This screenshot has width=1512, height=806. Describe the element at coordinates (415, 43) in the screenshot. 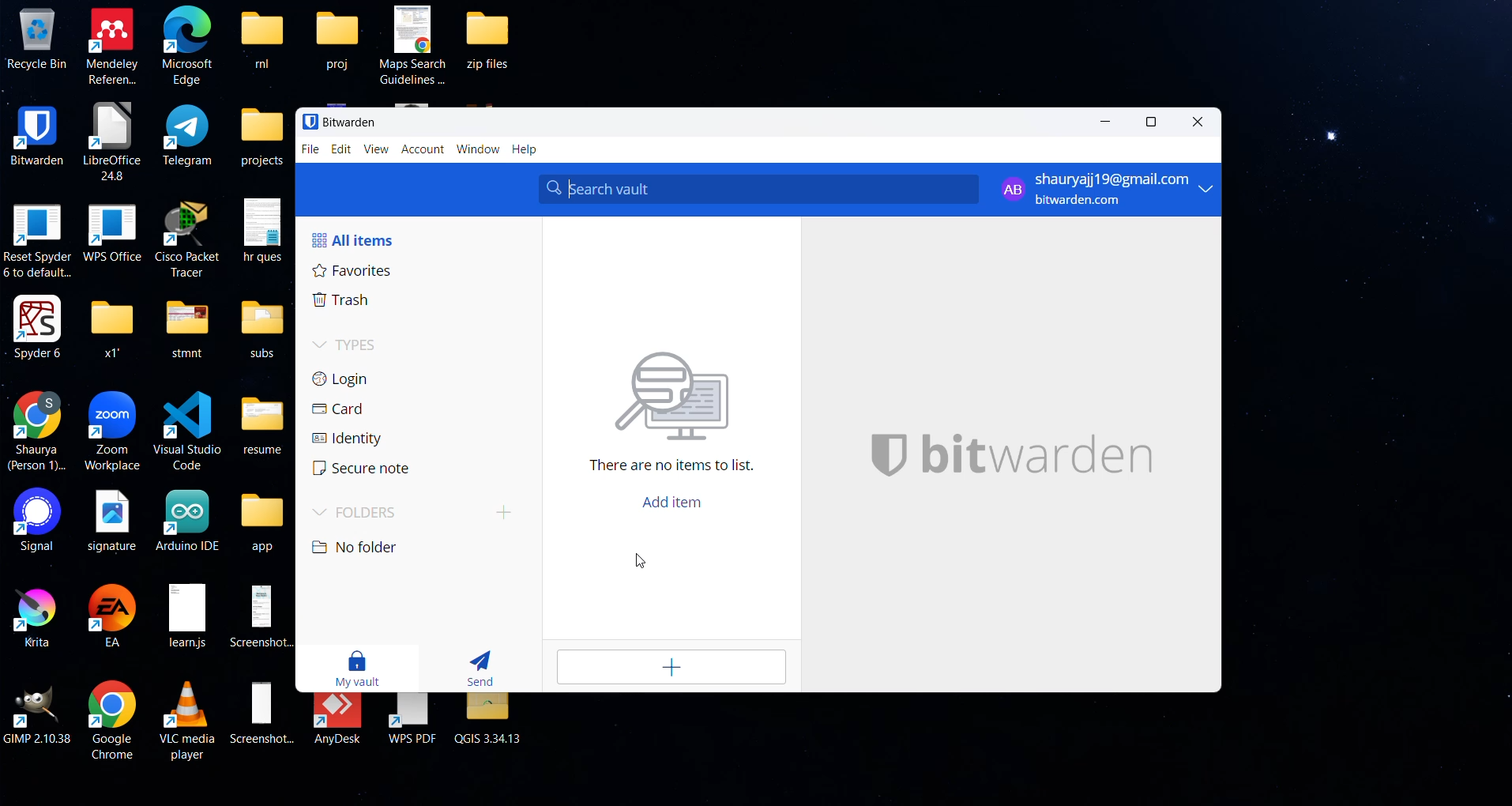

I see `Maps Search Guidelines ...` at that location.